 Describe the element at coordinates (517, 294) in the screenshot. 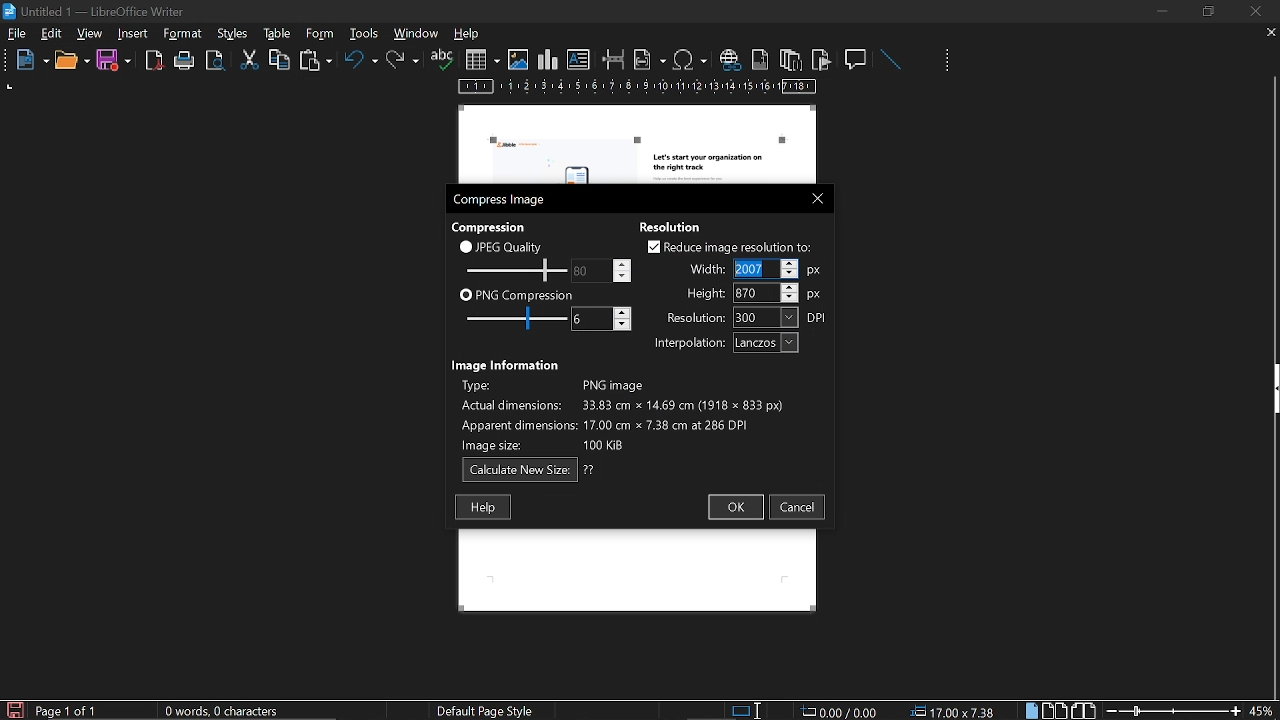

I see `png compression` at that location.